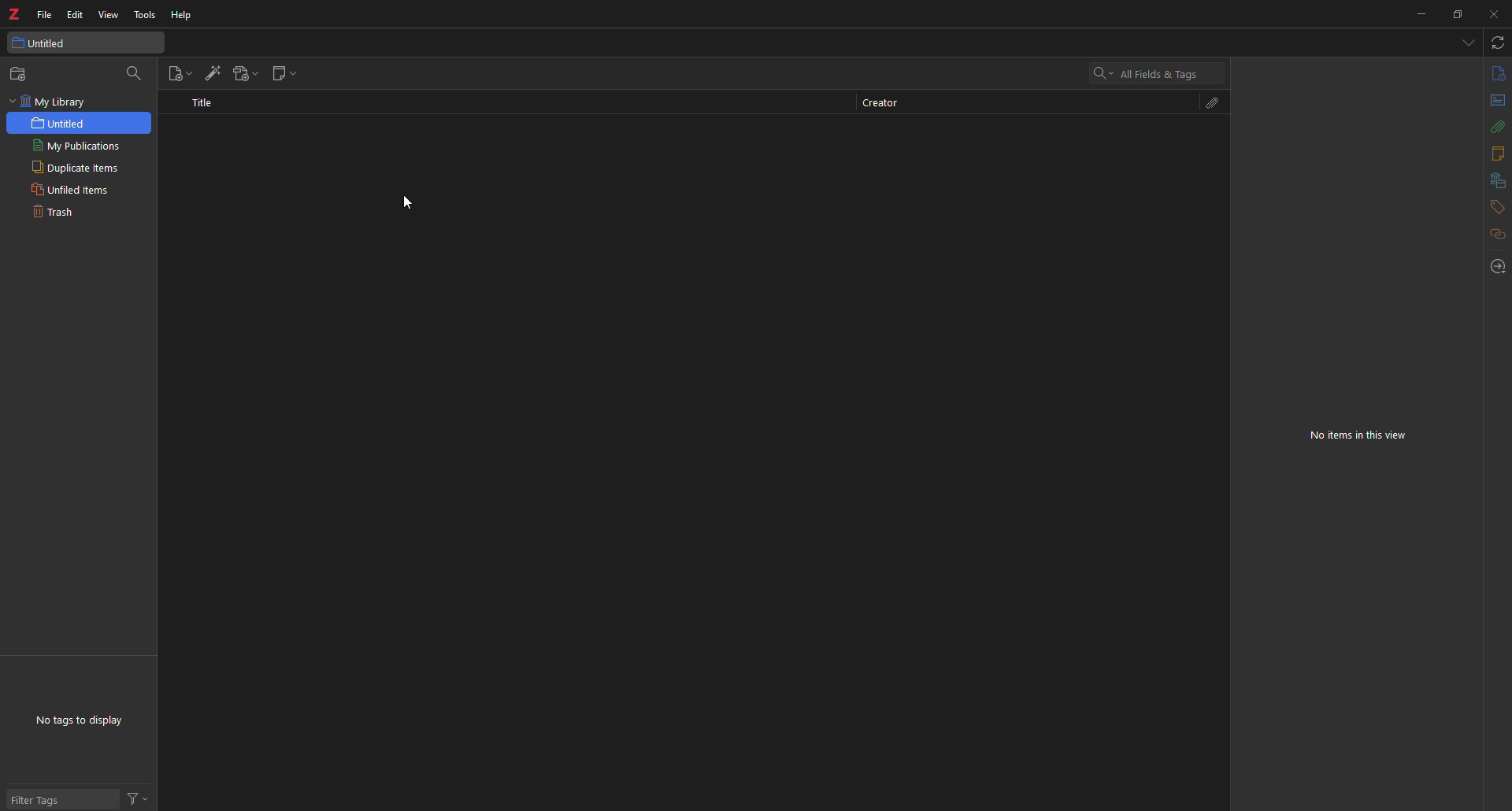 This screenshot has width=1512, height=811. I want to click on no tags to display, so click(72, 722).